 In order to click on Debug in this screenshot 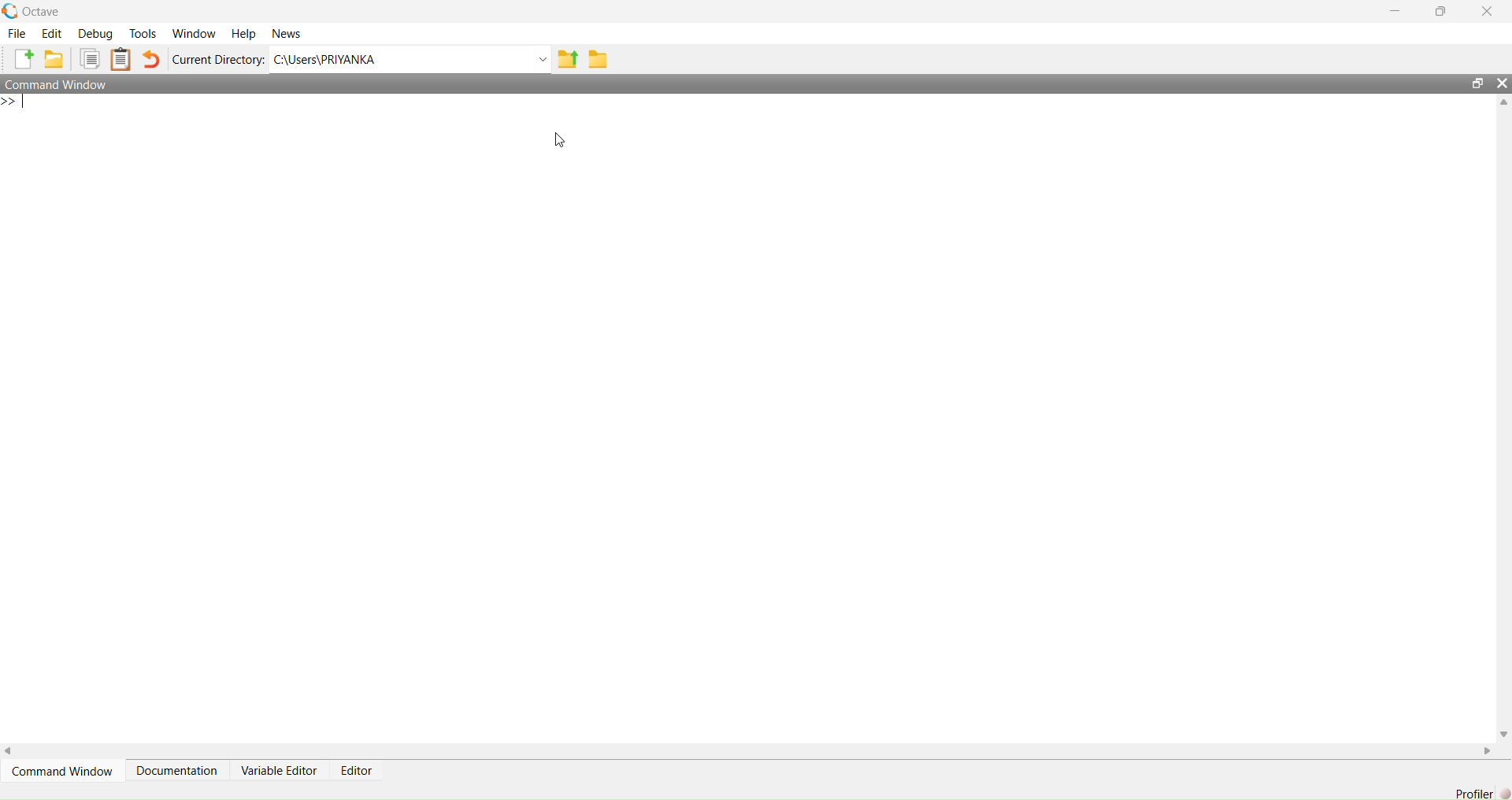, I will do `click(95, 33)`.